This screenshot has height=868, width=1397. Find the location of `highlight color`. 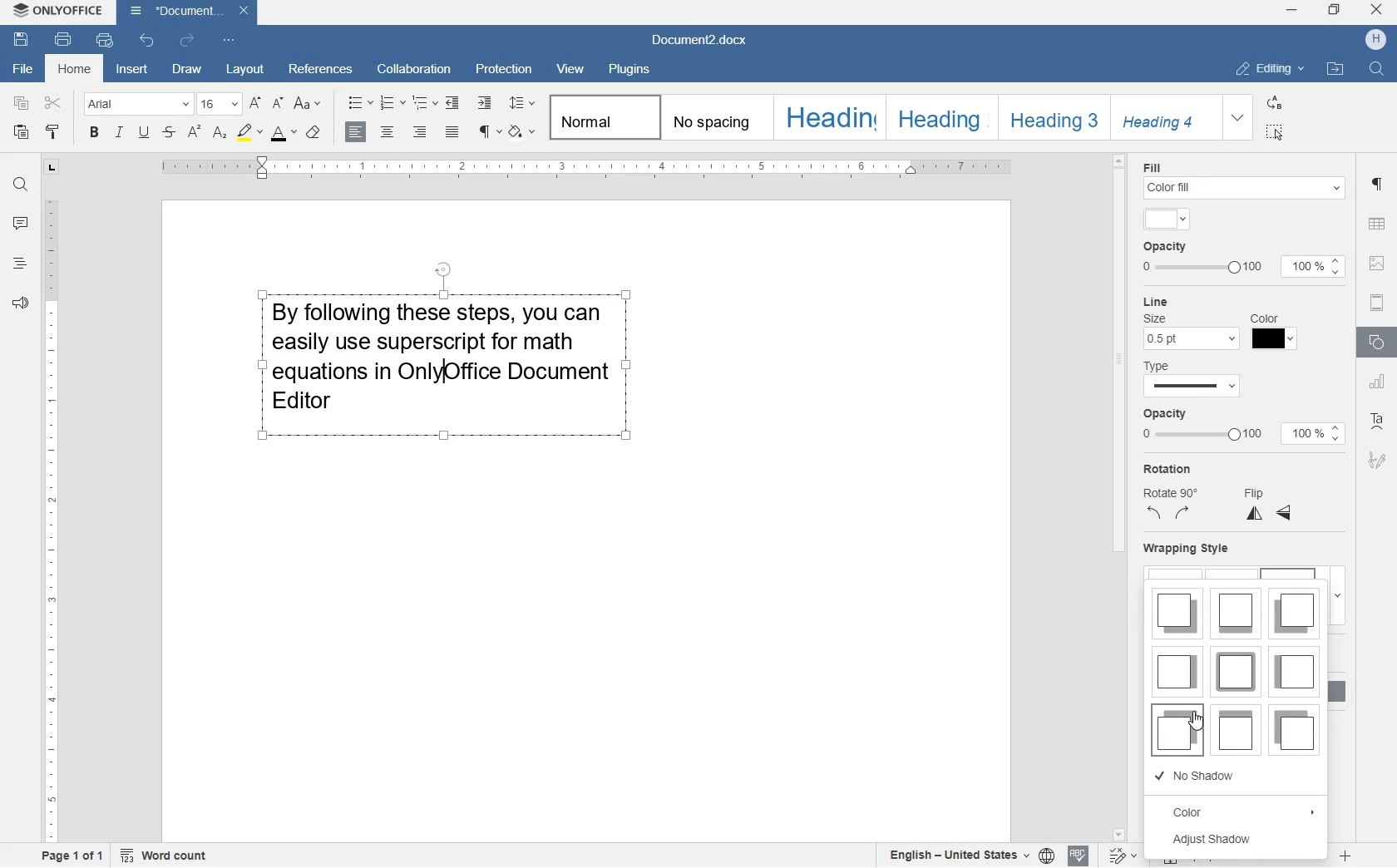

highlight color is located at coordinates (249, 133).